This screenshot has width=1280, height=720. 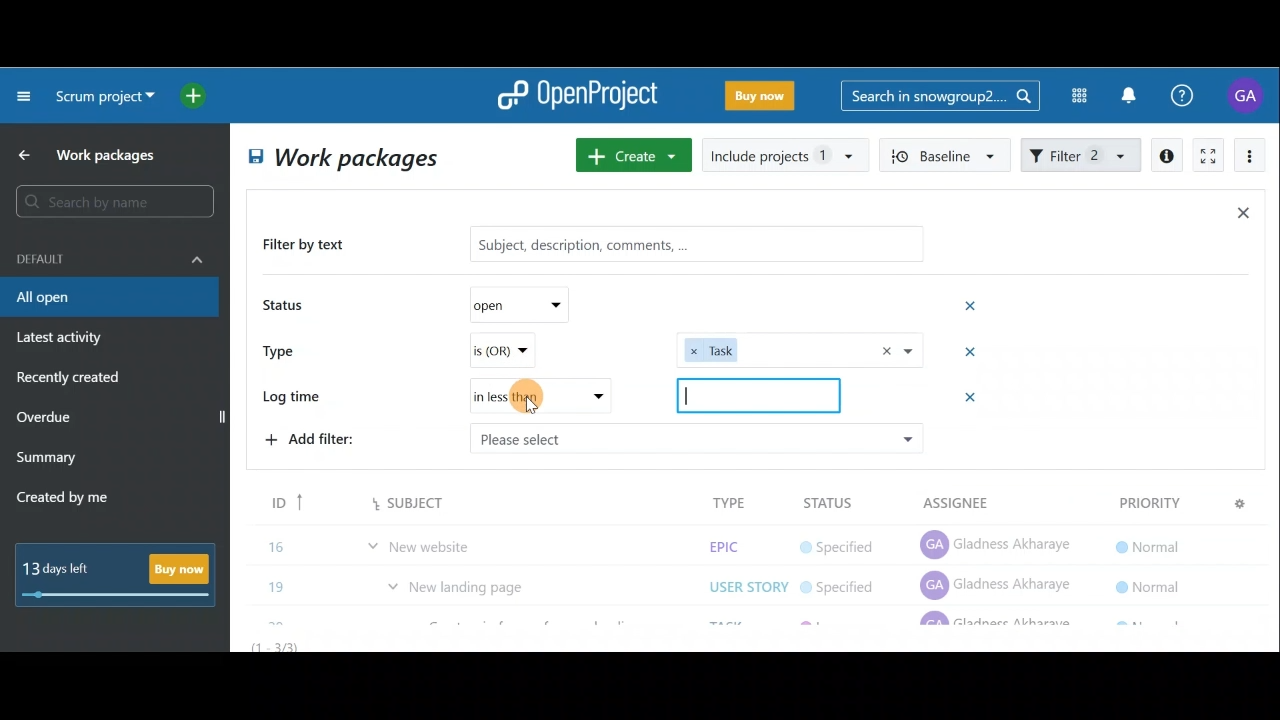 What do you see at coordinates (383, 497) in the screenshot?
I see `Item 14` at bounding box center [383, 497].